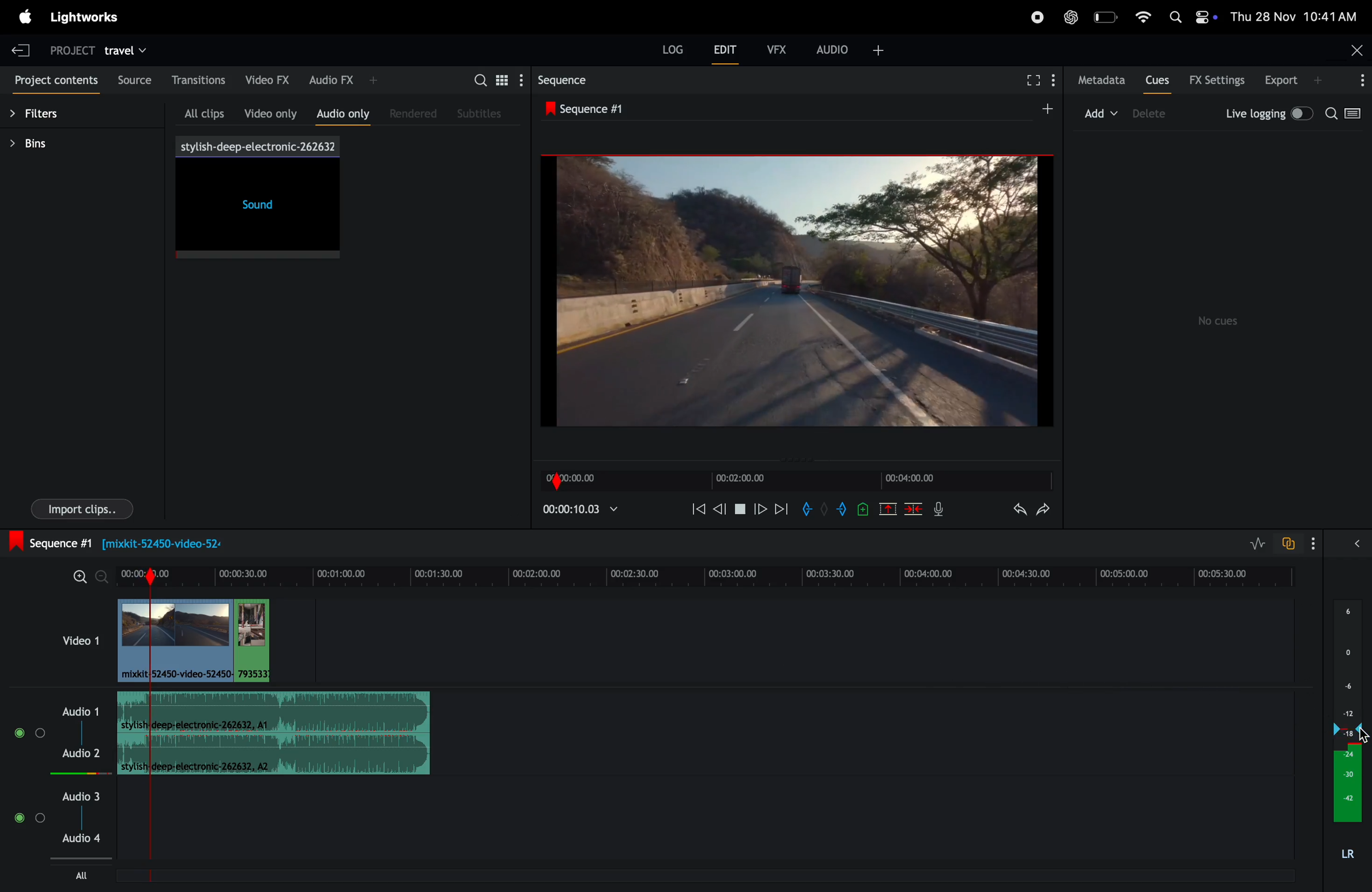 The height and width of the screenshot is (892, 1372). What do you see at coordinates (71, 51) in the screenshot?
I see `project` at bounding box center [71, 51].